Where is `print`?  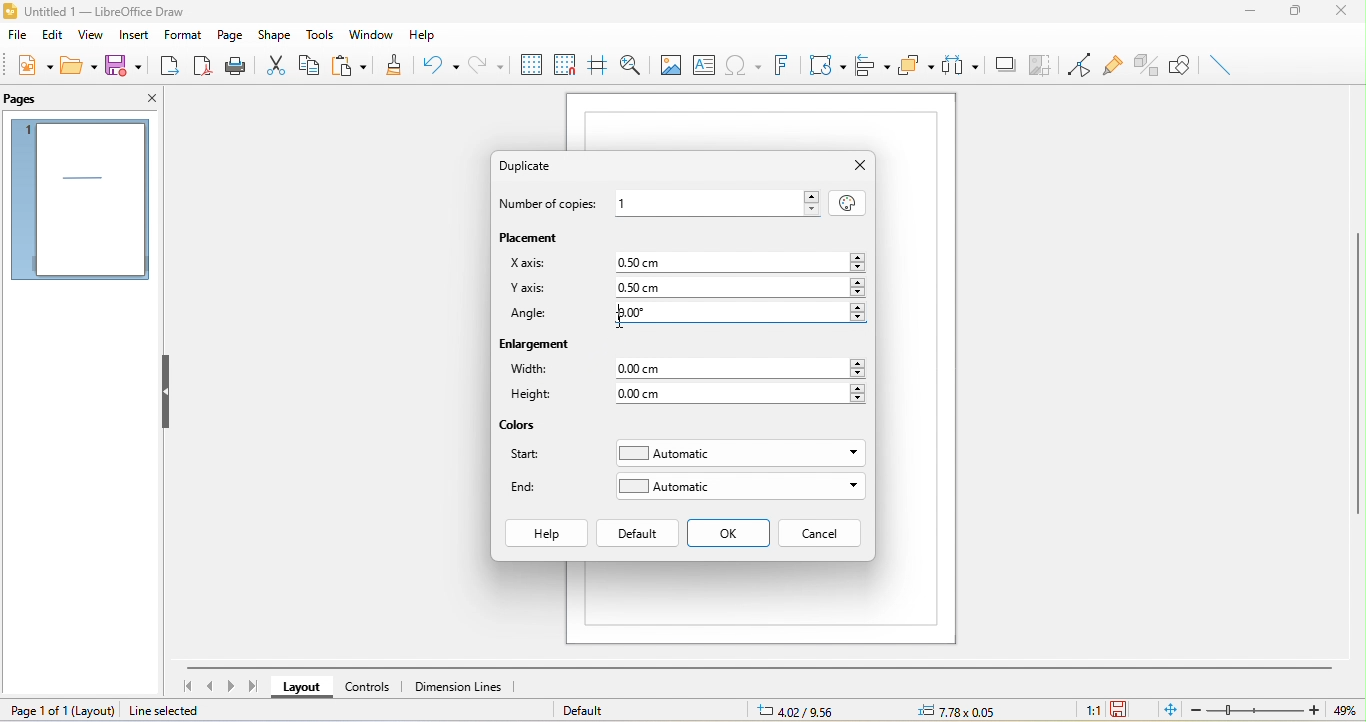
print is located at coordinates (238, 68).